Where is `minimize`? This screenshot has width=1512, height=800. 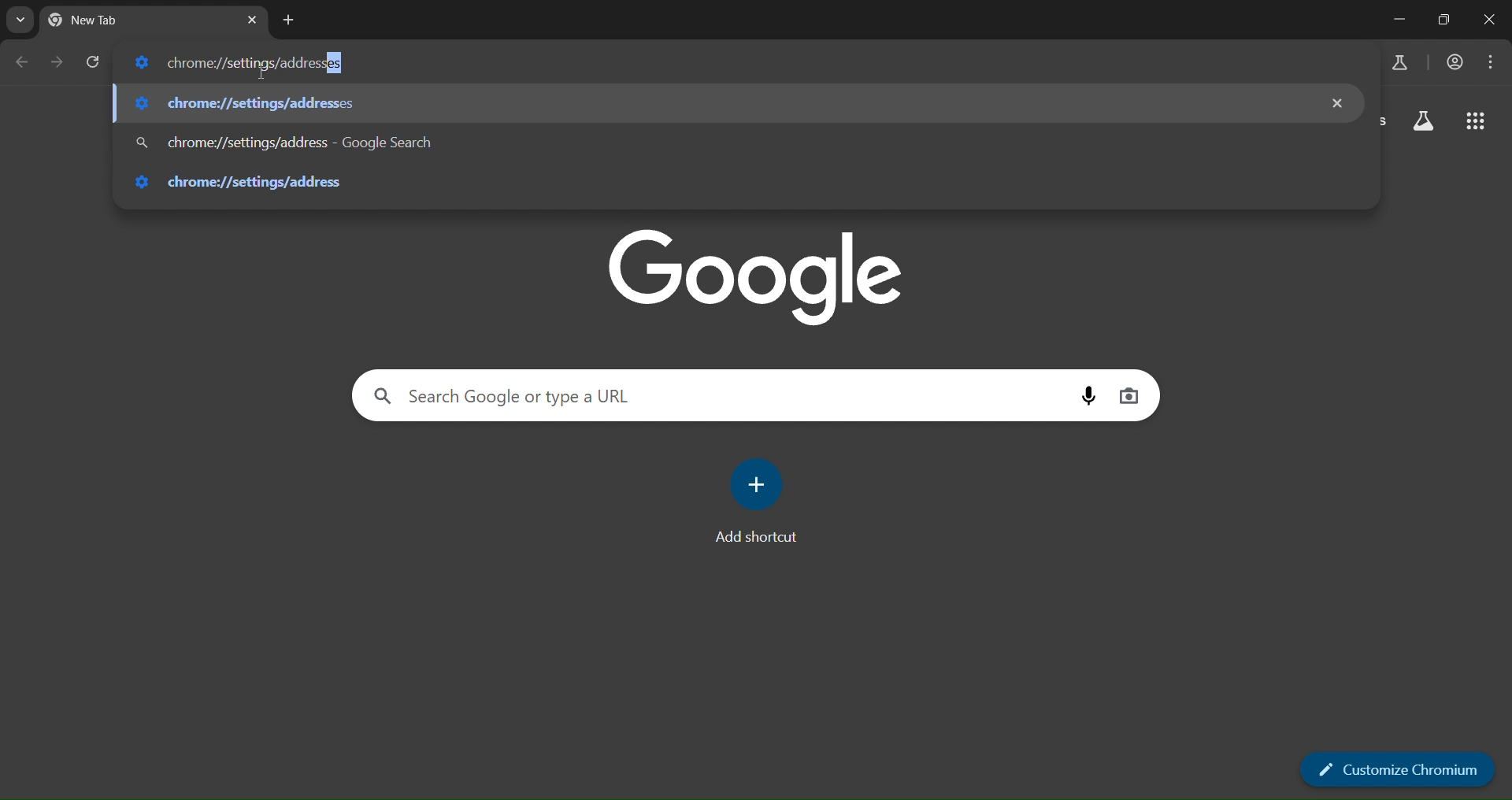 minimize is located at coordinates (1395, 20).